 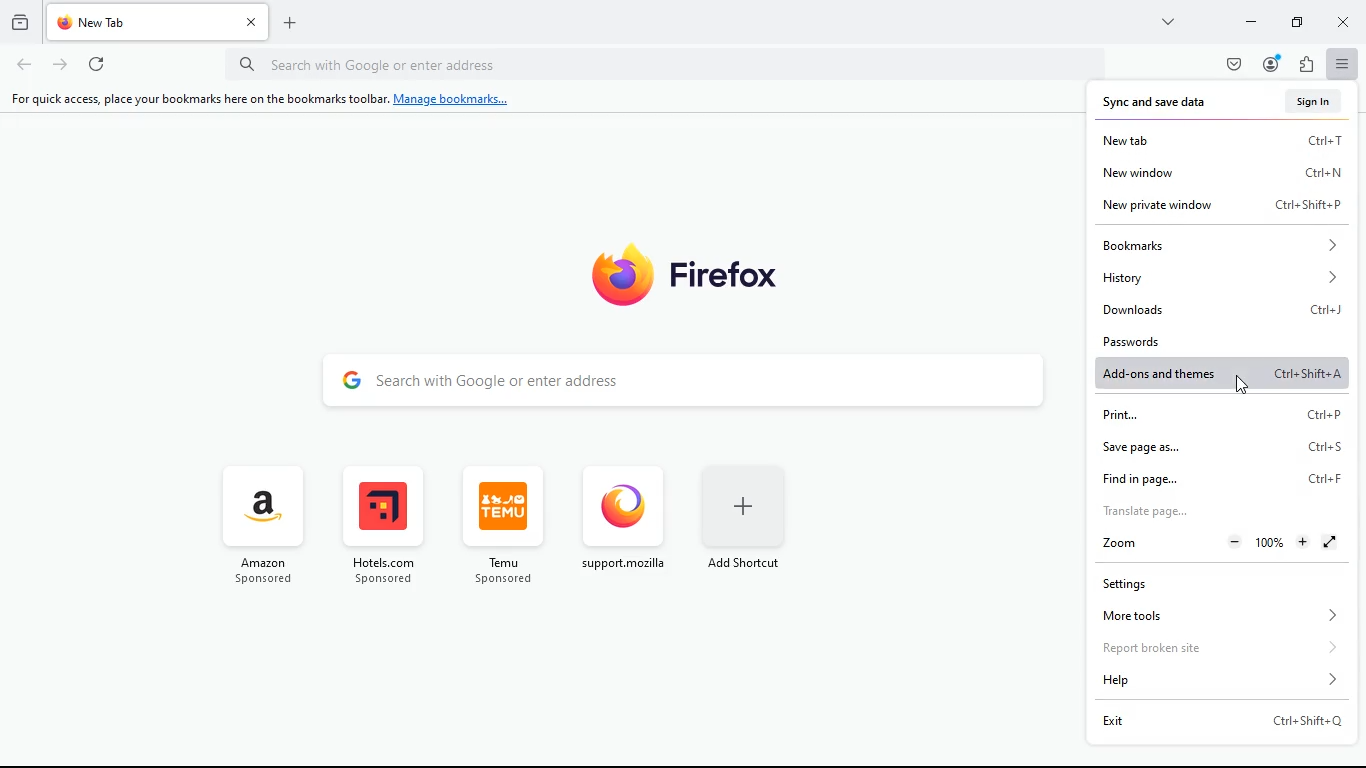 What do you see at coordinates (1306, 542) in the screenshot?
I see `zoom in` at bounding box center [1306, 542].